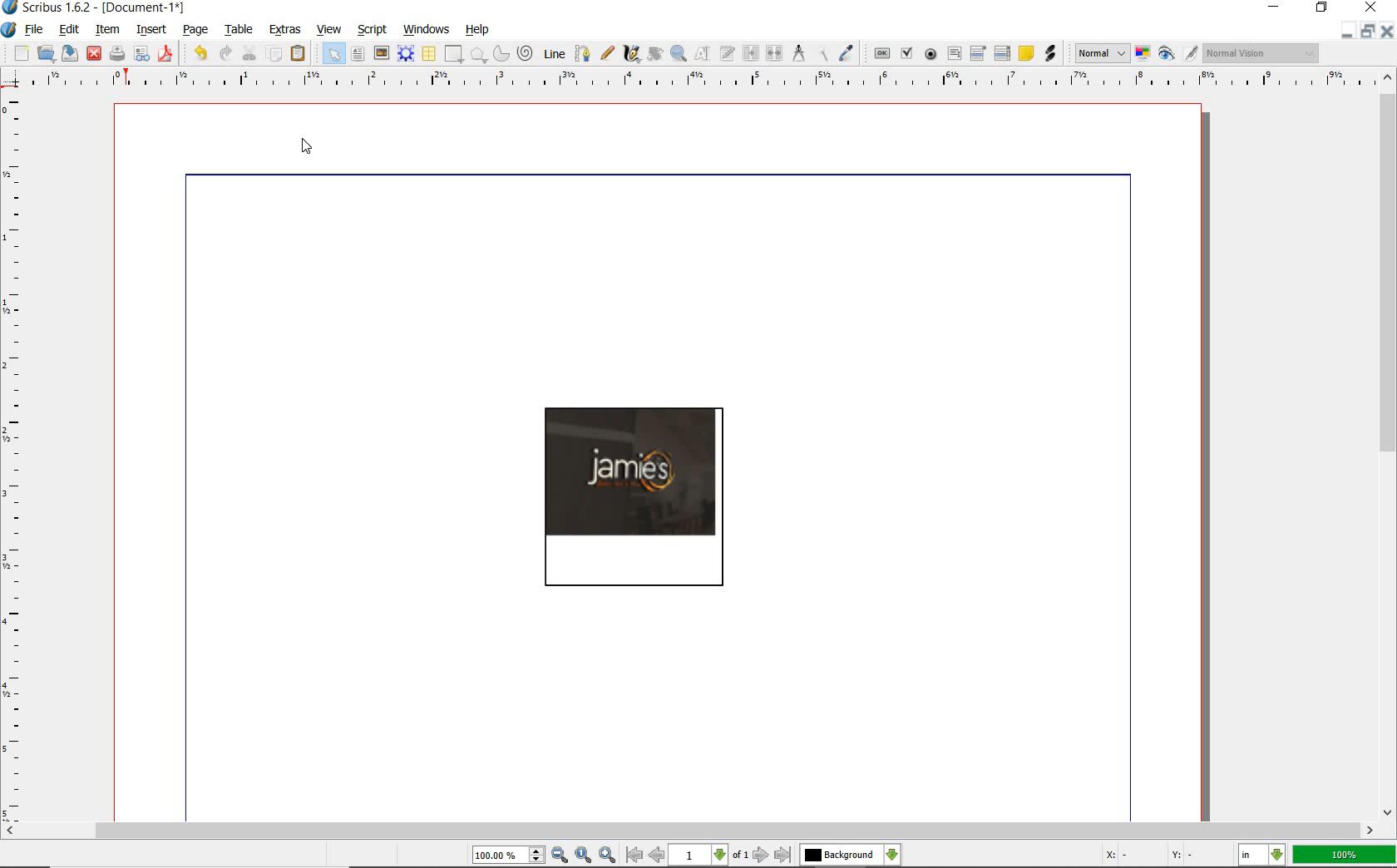  I want to click on 1 of 1, so click(711, 856).